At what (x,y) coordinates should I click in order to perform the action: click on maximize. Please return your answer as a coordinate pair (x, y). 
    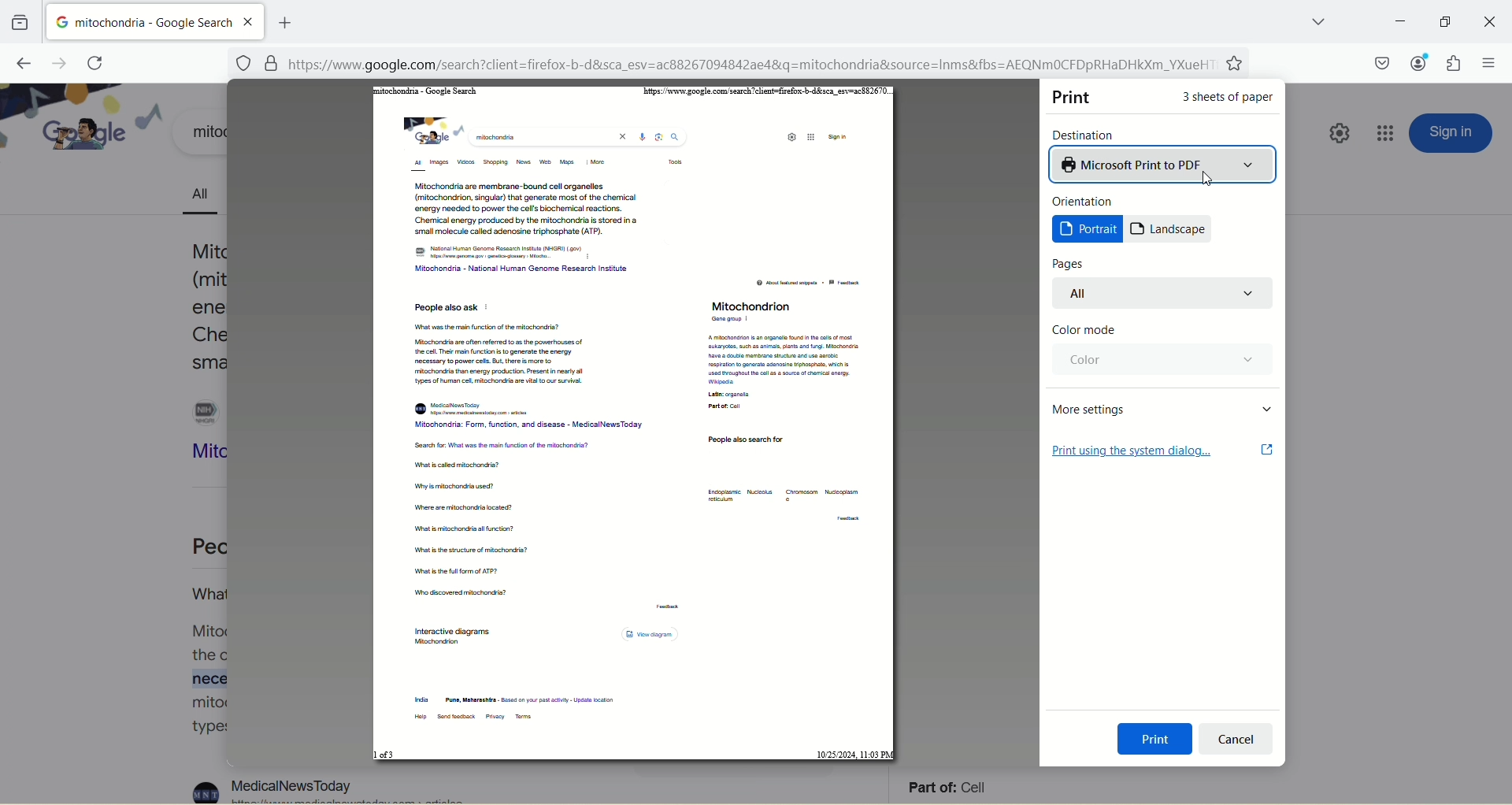
    Looking at the image, I should click on (1443, 22).